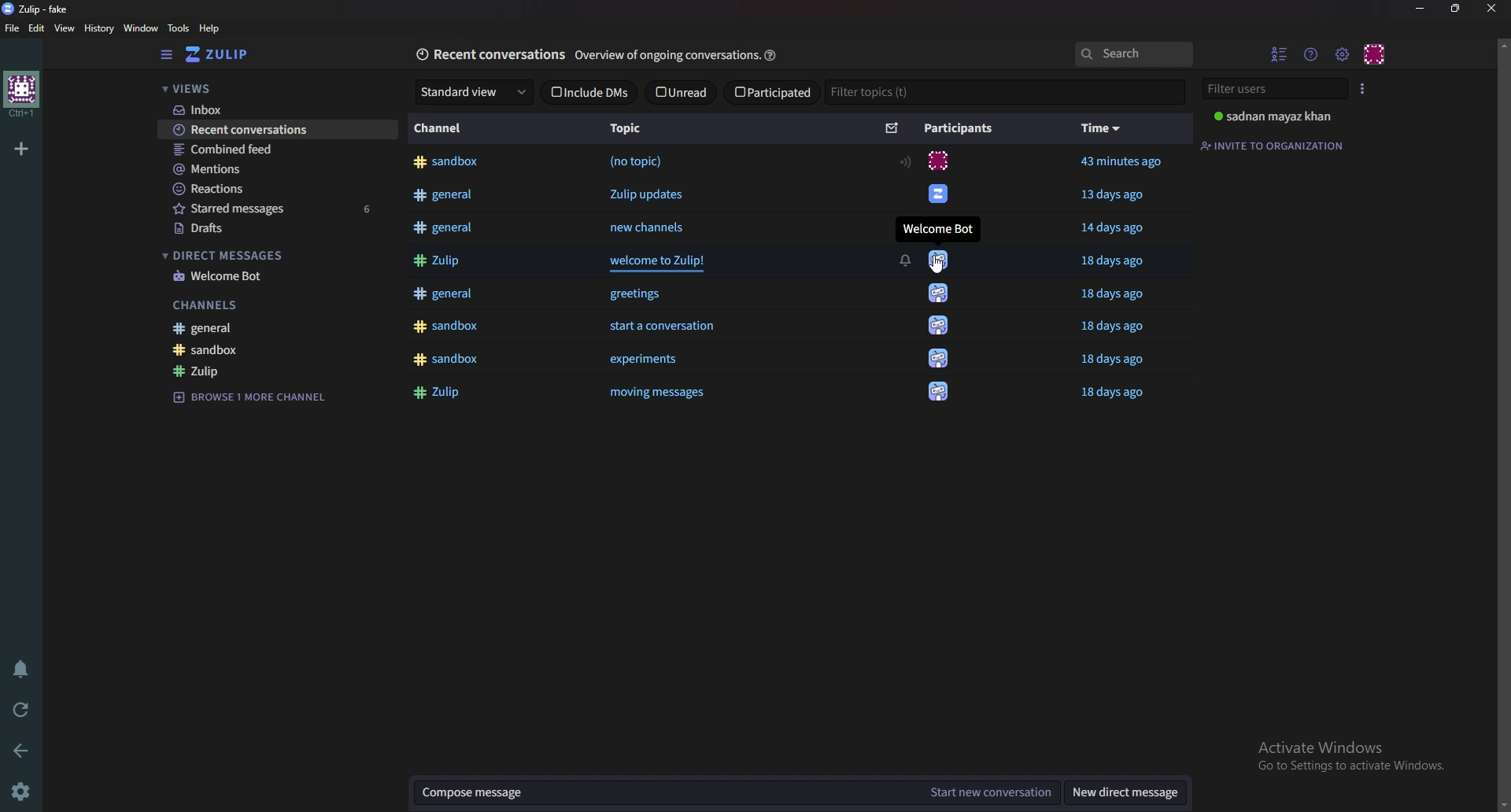  I want to click on ‘moving messages, so click(659, 394).